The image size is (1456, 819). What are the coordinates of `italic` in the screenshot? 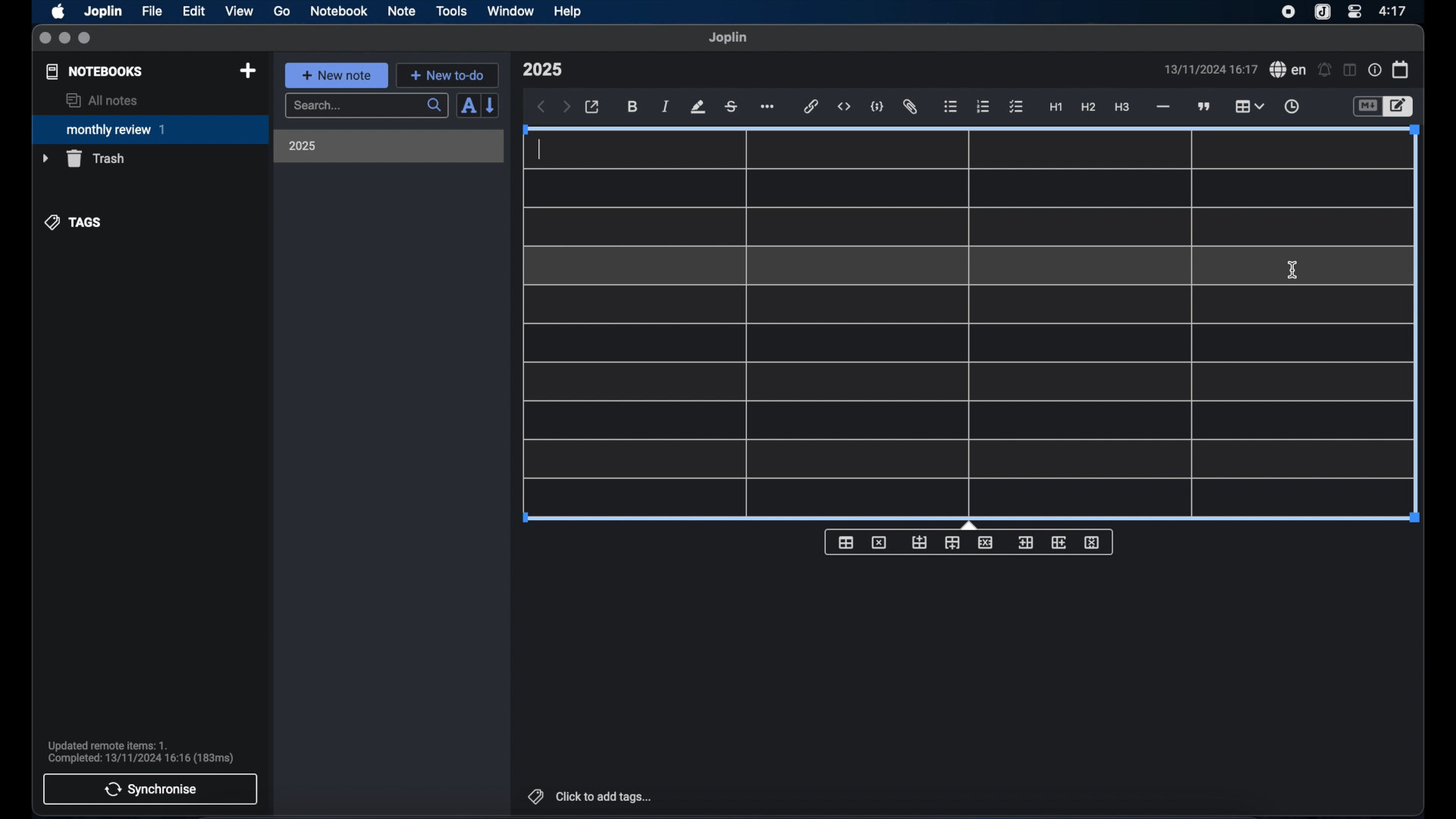 It's located at (666, 106).